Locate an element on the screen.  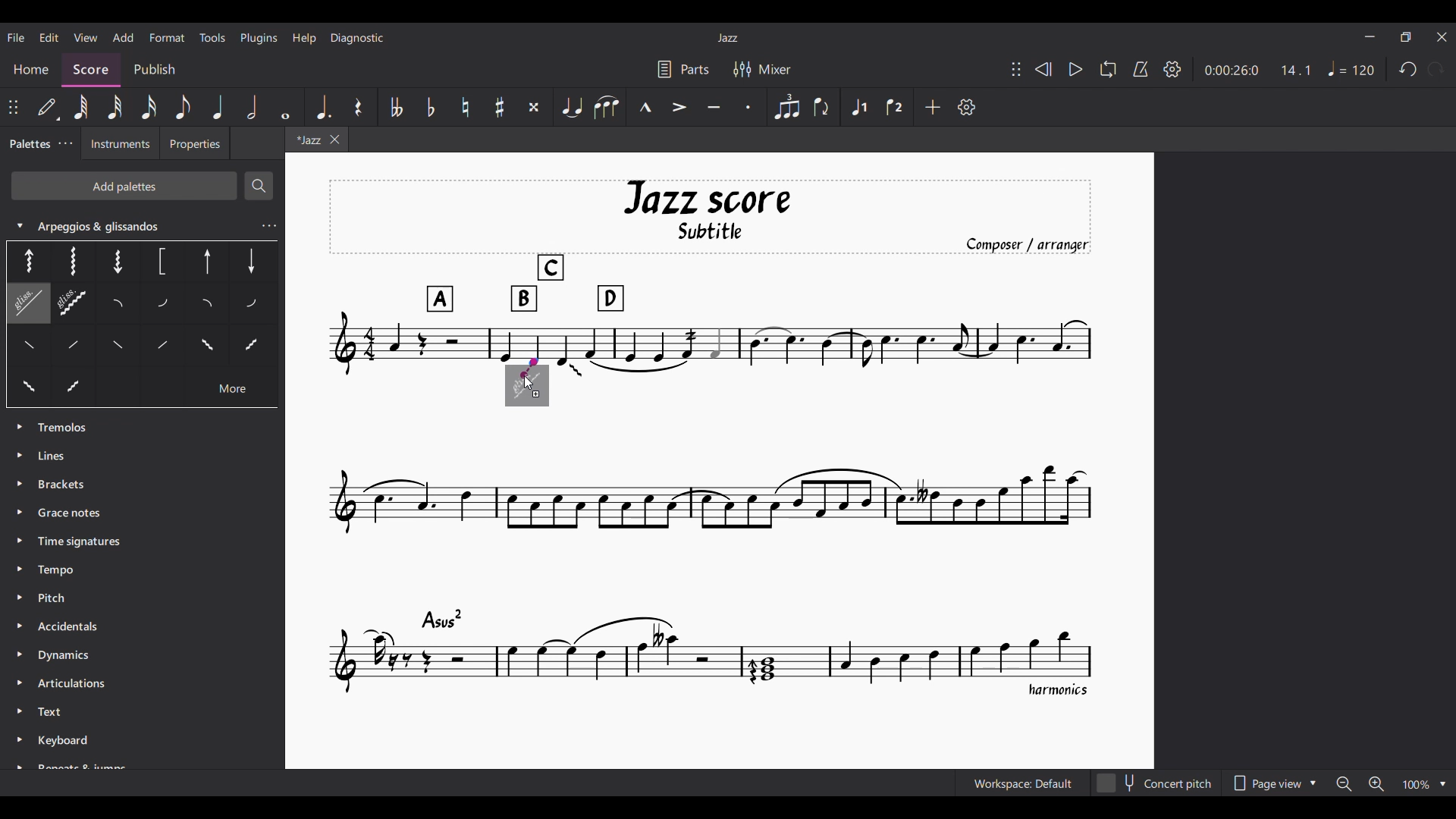
Augmentation dot is located at coordinates (322, 107).